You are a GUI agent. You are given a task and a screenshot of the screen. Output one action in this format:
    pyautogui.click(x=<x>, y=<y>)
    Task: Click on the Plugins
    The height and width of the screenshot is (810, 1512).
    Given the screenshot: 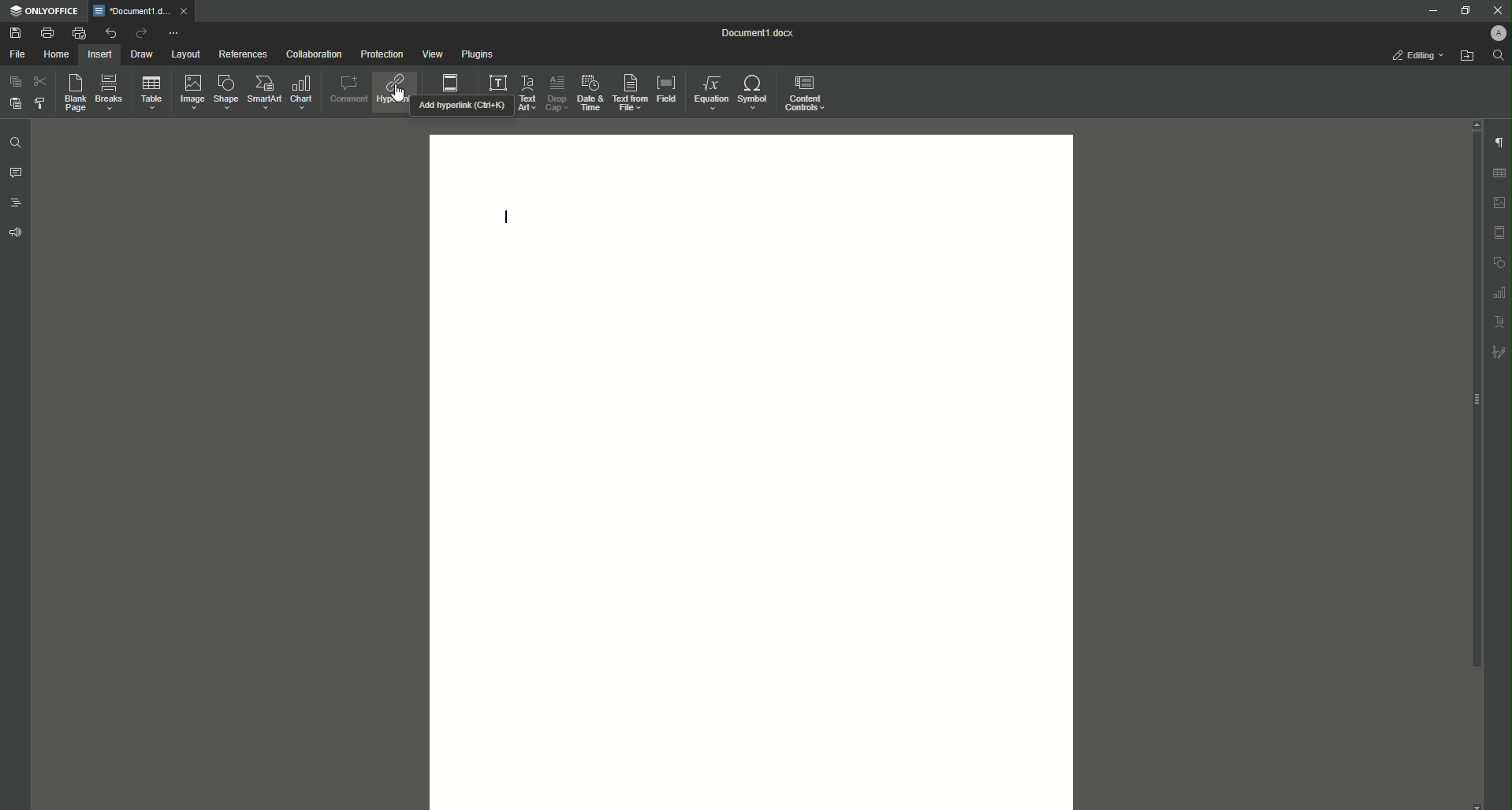 What is the action you would take?
    pyautogui.click(x=476, y=53)
    